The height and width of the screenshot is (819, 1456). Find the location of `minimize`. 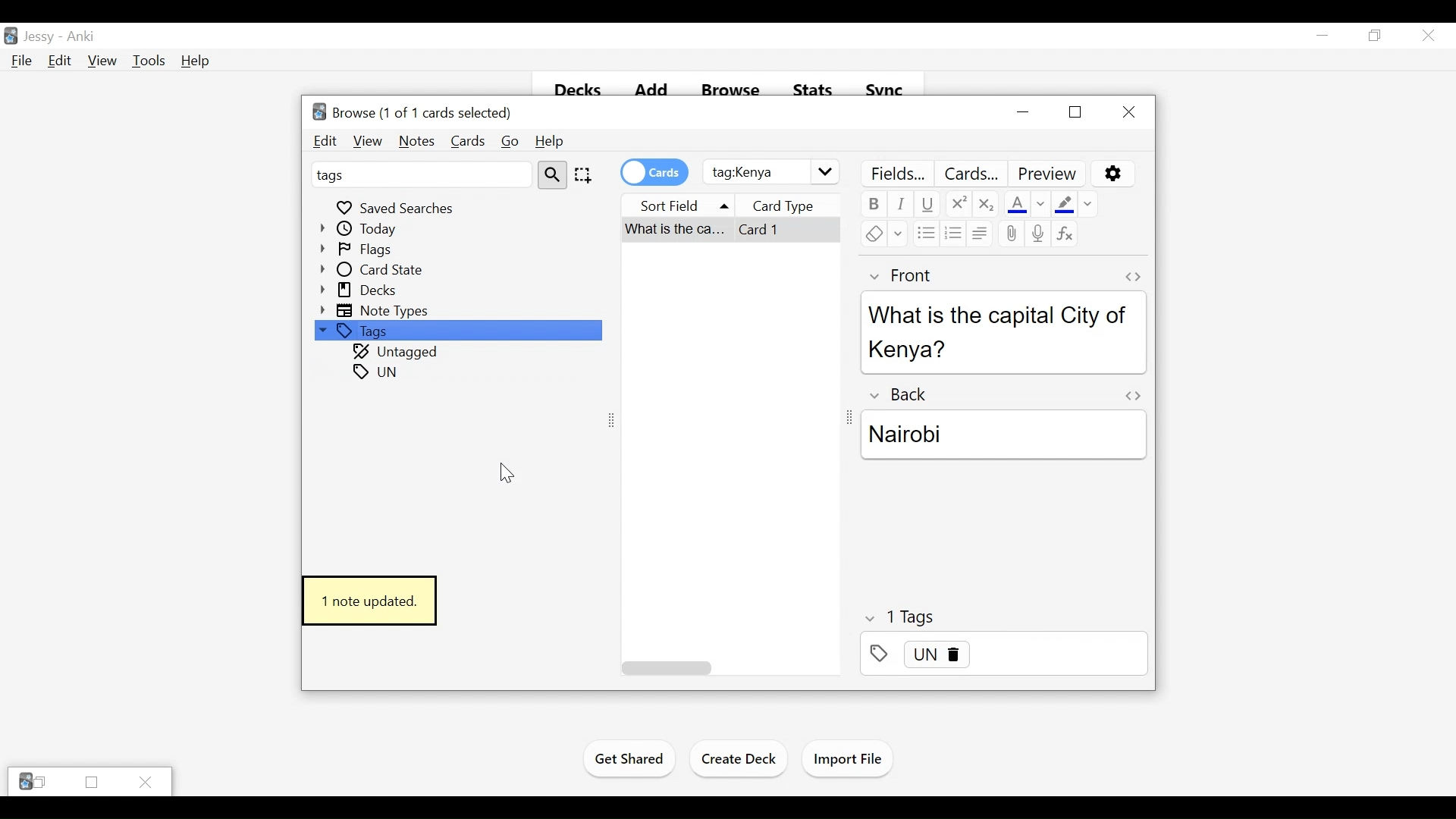

minimize is located at coordinates (1025, 113).